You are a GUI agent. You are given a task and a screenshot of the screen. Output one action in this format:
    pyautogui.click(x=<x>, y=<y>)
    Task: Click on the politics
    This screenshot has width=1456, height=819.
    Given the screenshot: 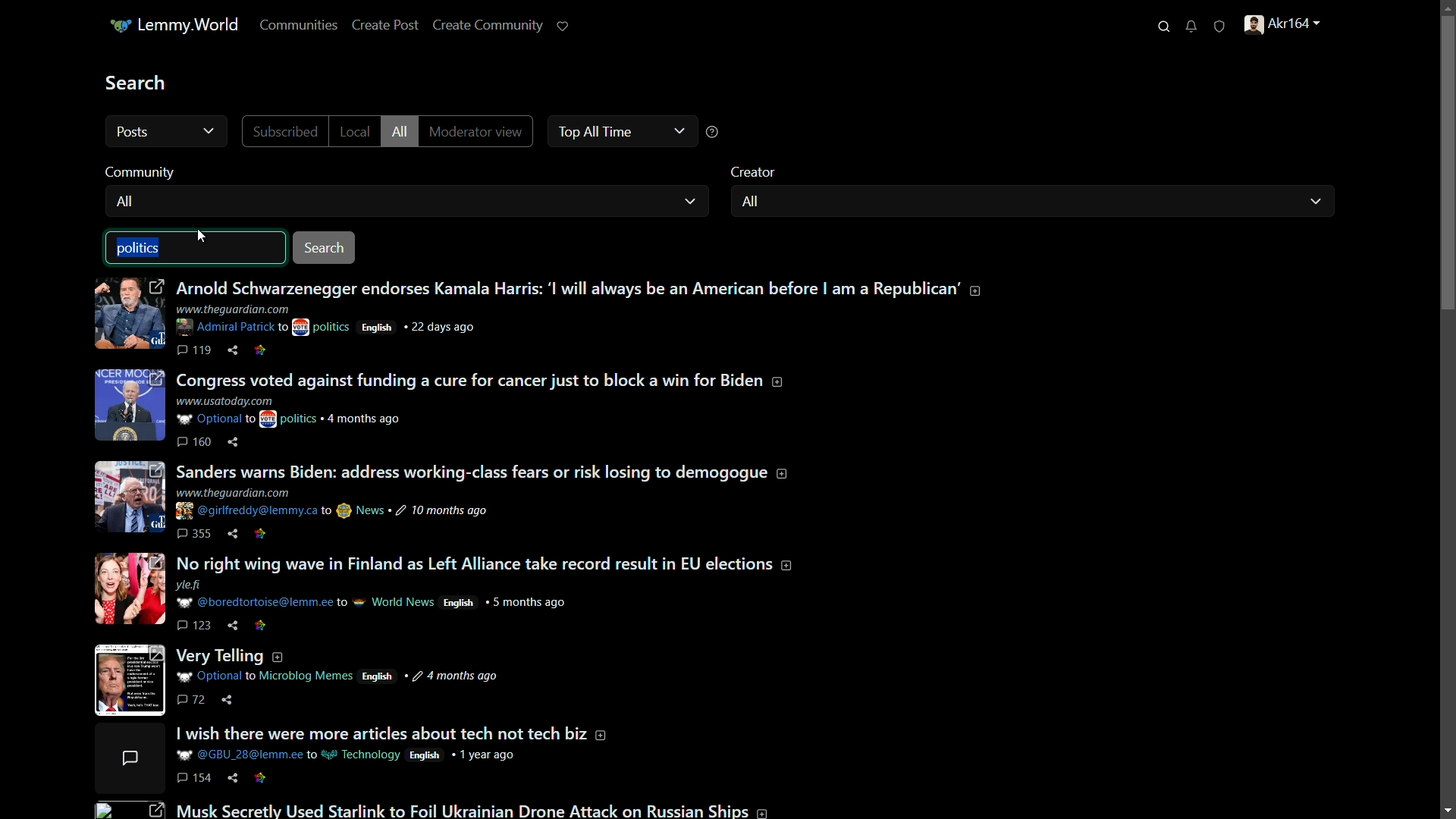 What is the action you would take?
    pyautogui.click(x=140, y=247)
    